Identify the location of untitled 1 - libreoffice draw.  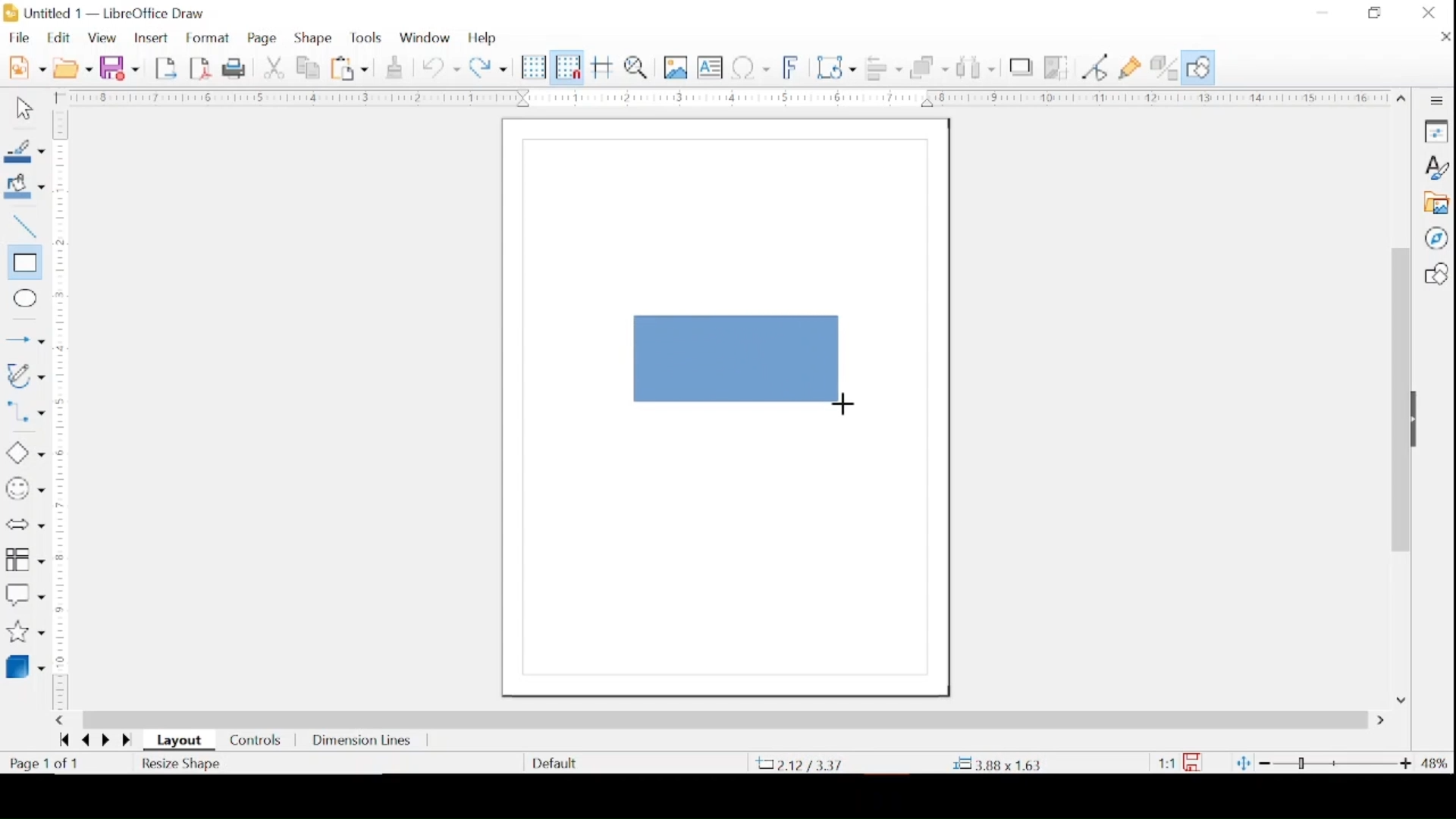
(107, 14).